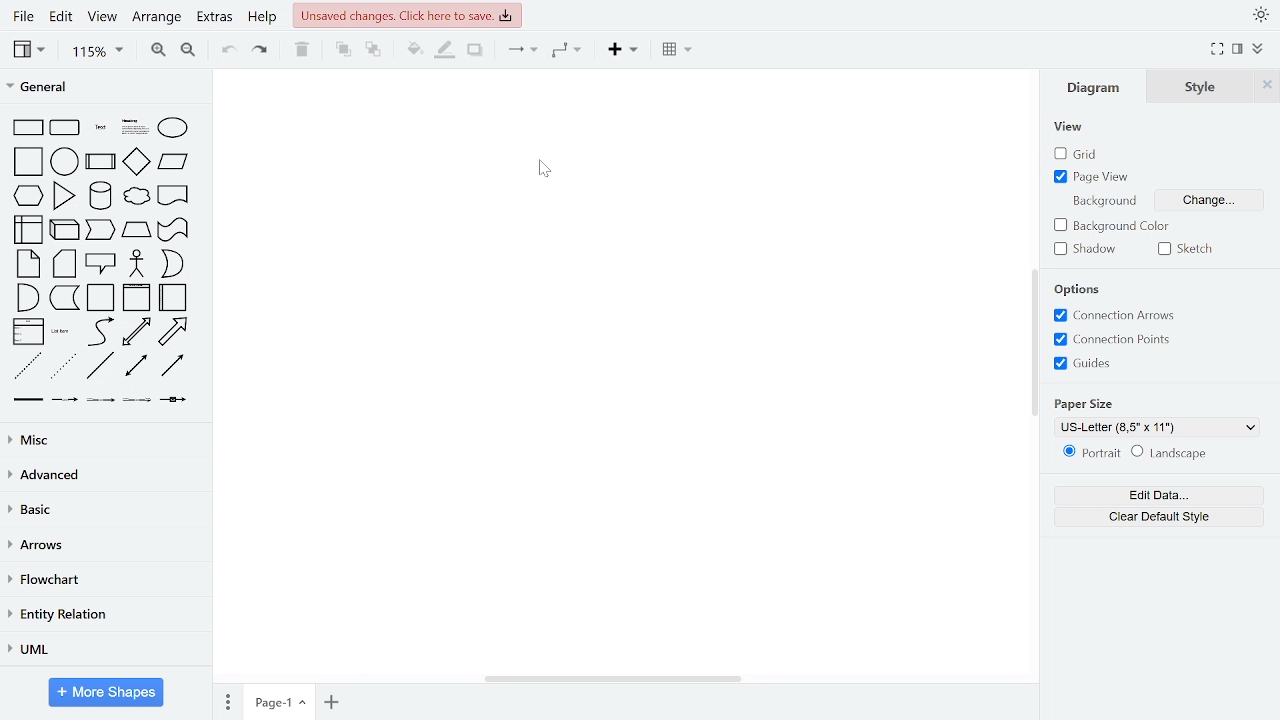  What do you see at coordinates (65, 366) in the screenshot?
I see `dotted line` at bounding box center [65, 366].